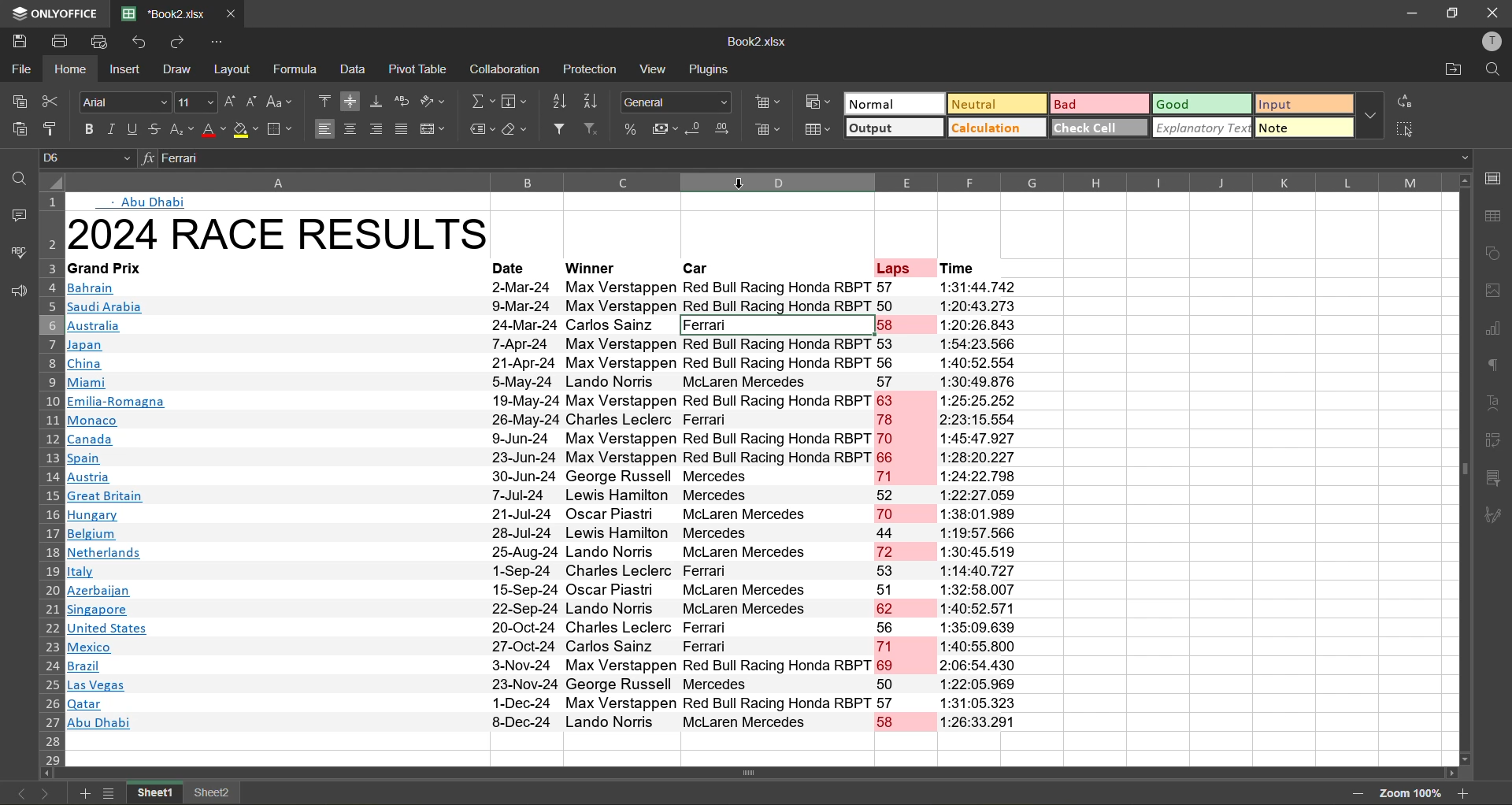 The width and height of the screenshot is (1512, 805). What do you see at coordinates (1362, 796) in the screenshot?
I see `zoom out` at bounding box center [1362, 796].